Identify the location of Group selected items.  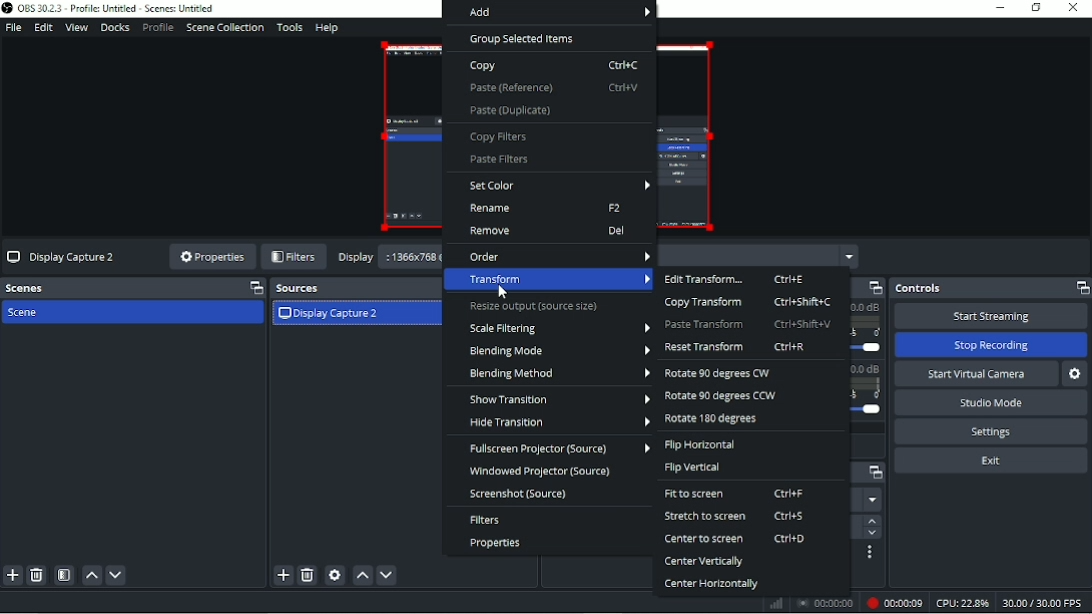
(523, 39).